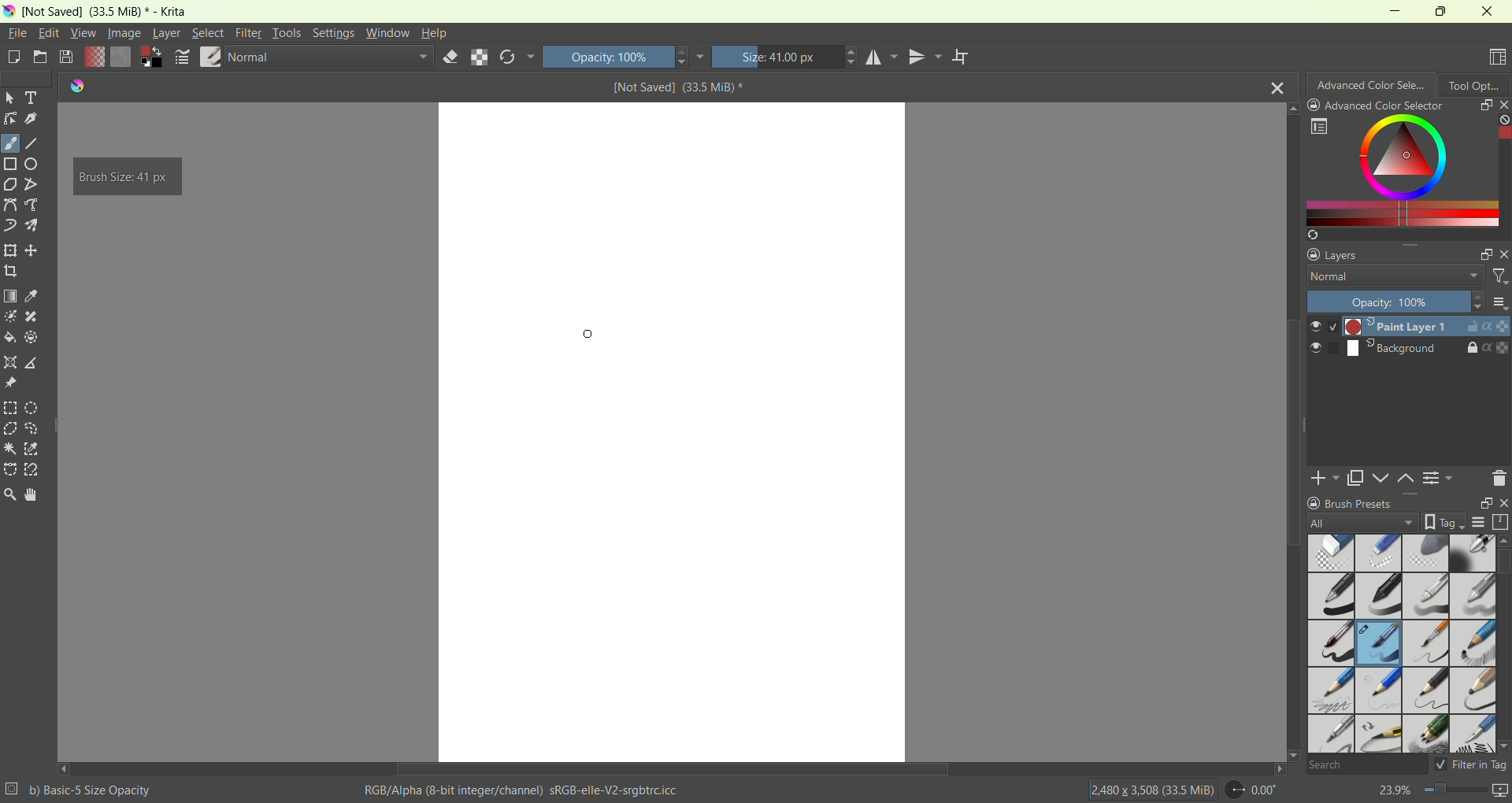 The height and width of the screenshot is (803, 1512). What do you see at coordinates (32, 120) in the screenshot?
I see `calligraphy` at bounding box center [32, 120].